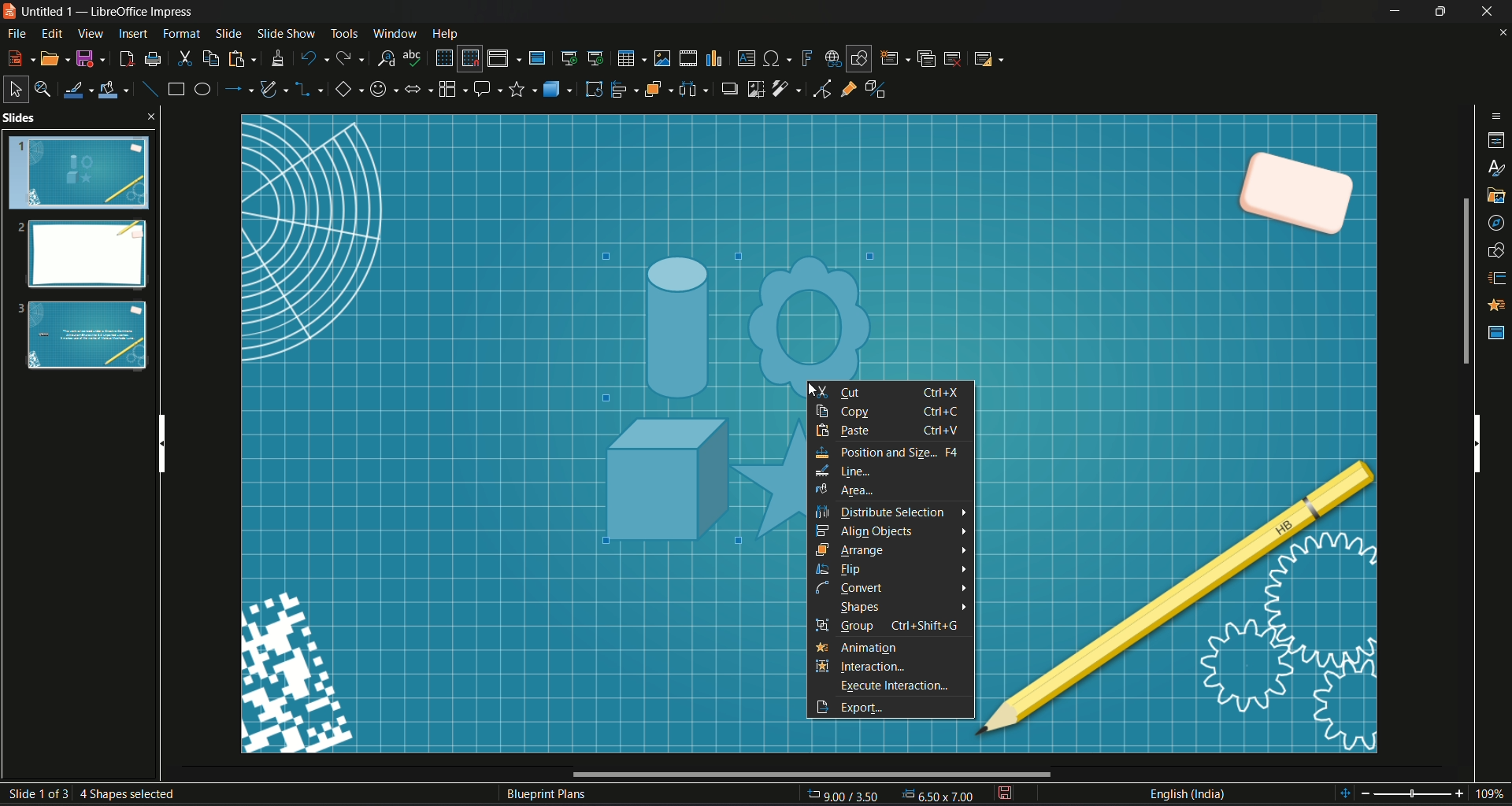 The height and width of the screenshot is (806, 1512). Describe the element at coordinates (504, 58) in the screenshot. I see `display views` at that location.